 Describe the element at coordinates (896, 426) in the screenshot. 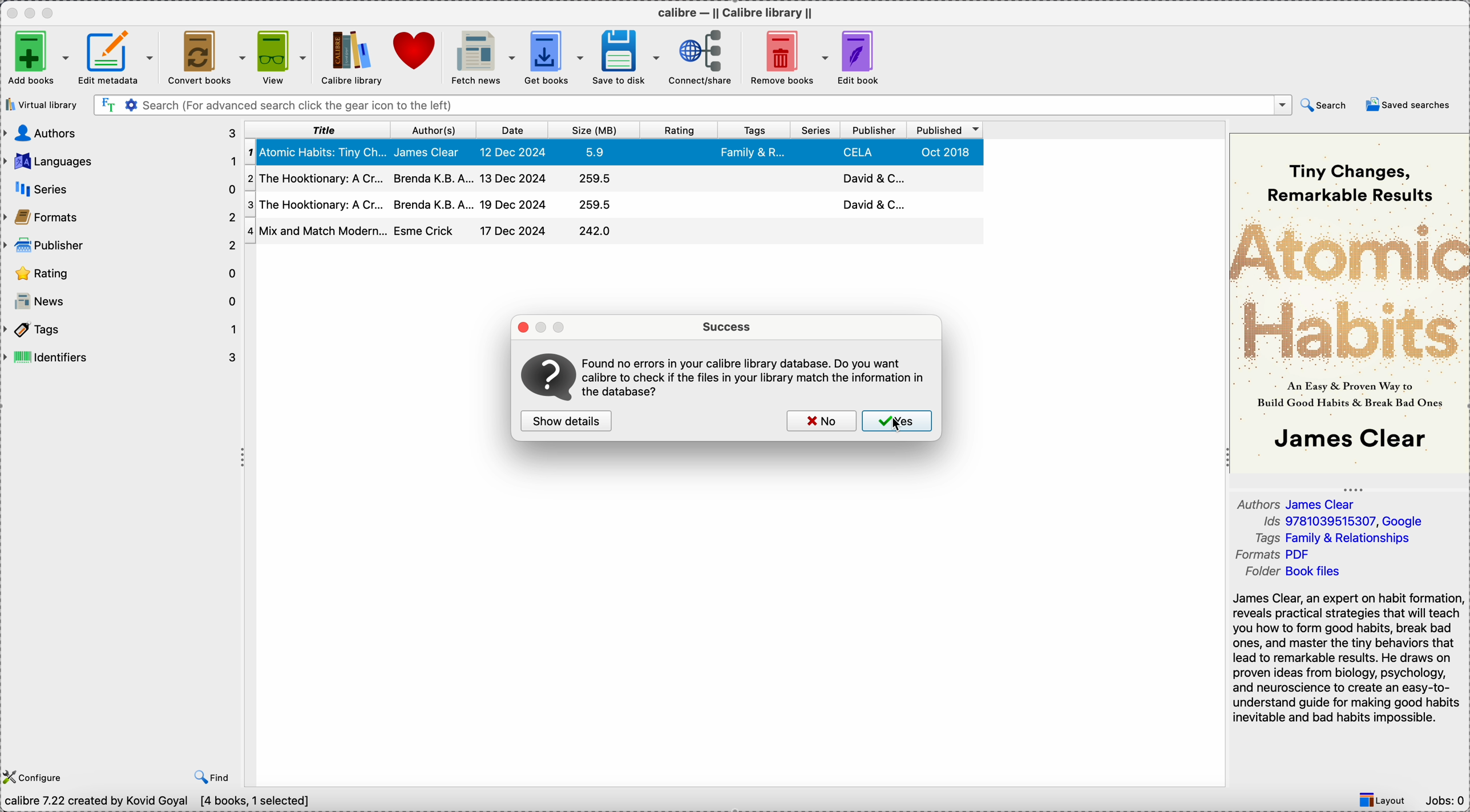

I see `cursor` at that location.